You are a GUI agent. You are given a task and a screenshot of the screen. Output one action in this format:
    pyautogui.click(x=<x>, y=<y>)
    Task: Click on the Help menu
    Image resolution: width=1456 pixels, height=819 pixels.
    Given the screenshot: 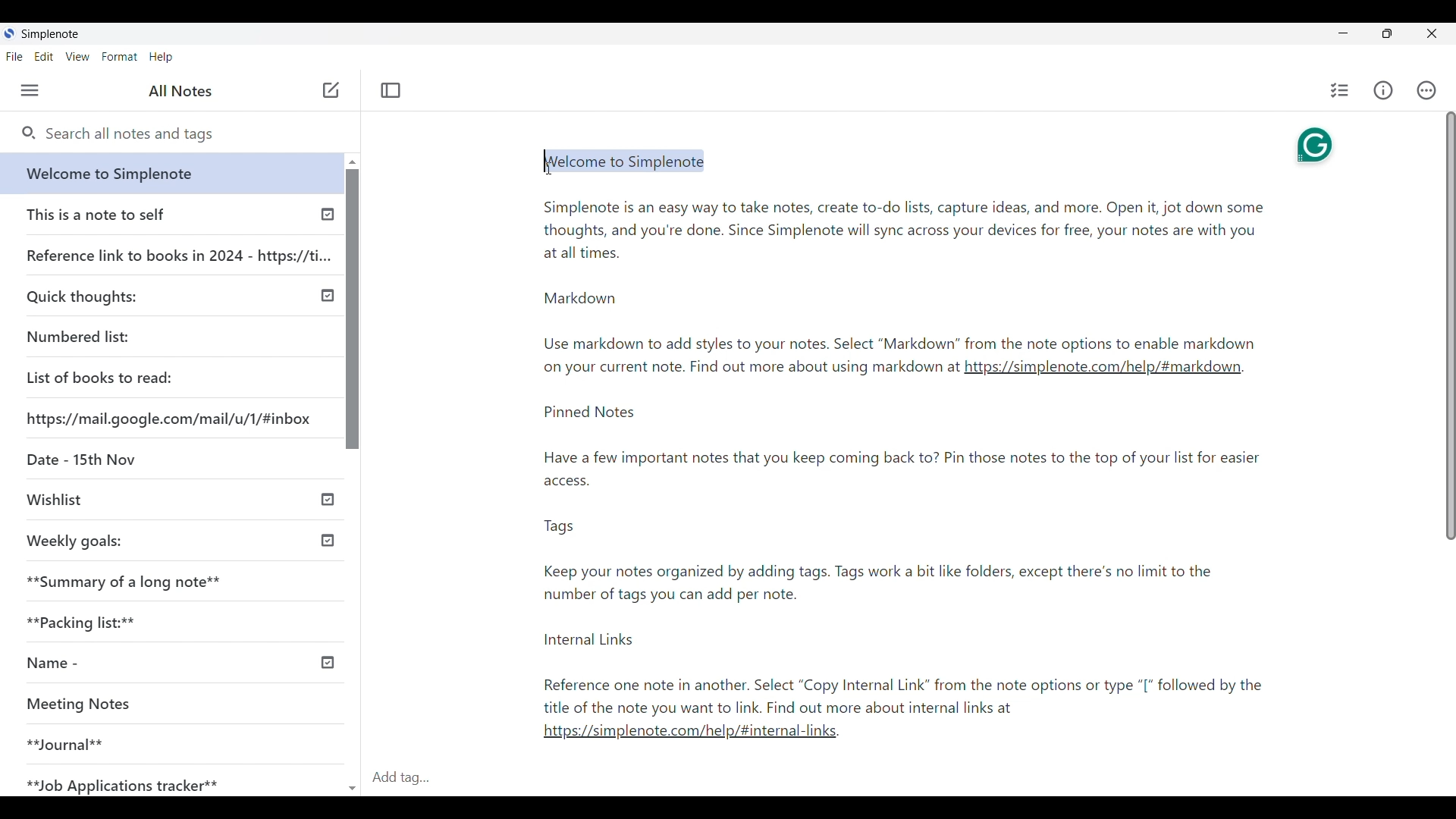 What is the action you would take?
    pyautogui.click(x=161, y=57)
    